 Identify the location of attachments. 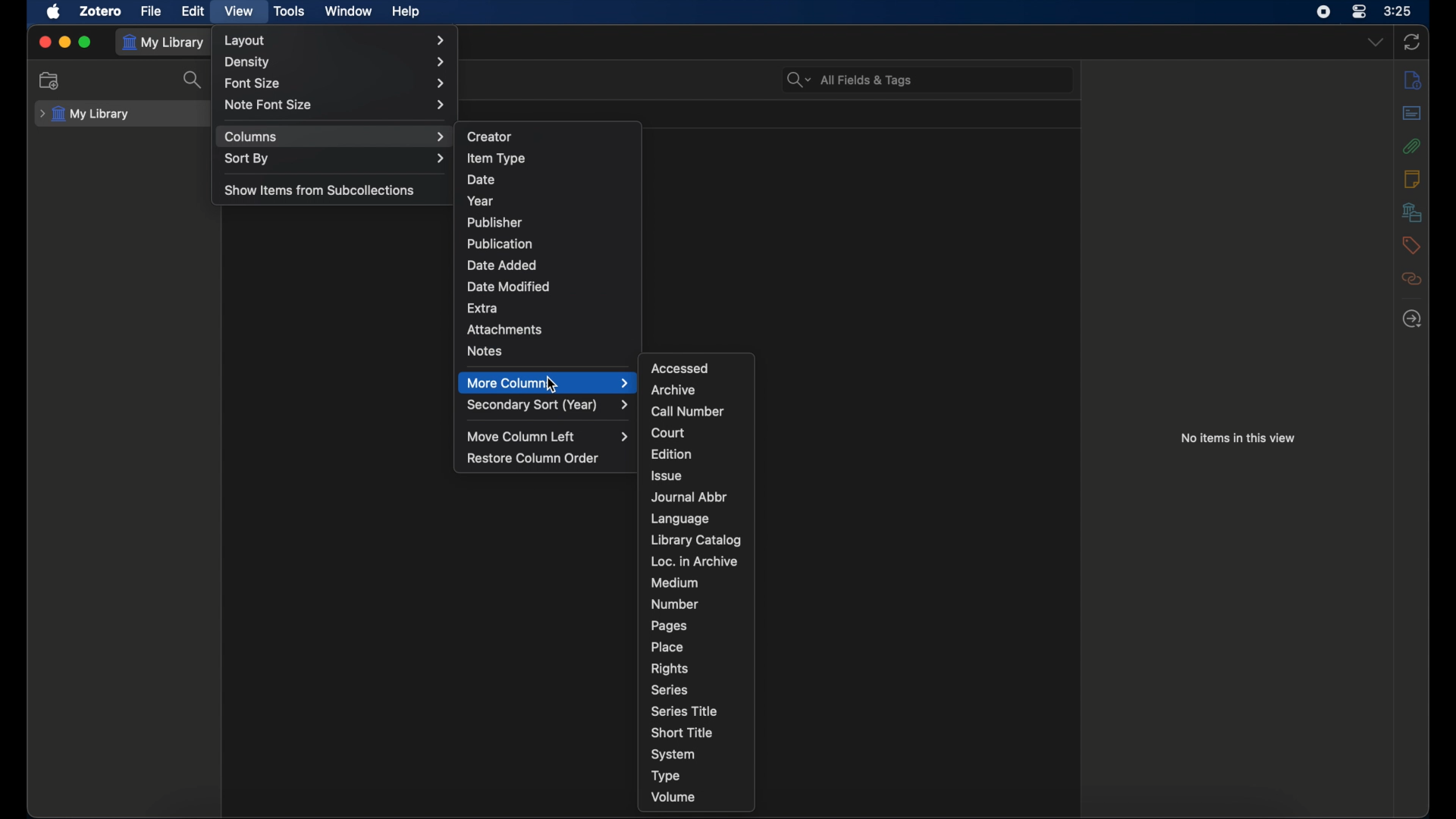
(505, 330).